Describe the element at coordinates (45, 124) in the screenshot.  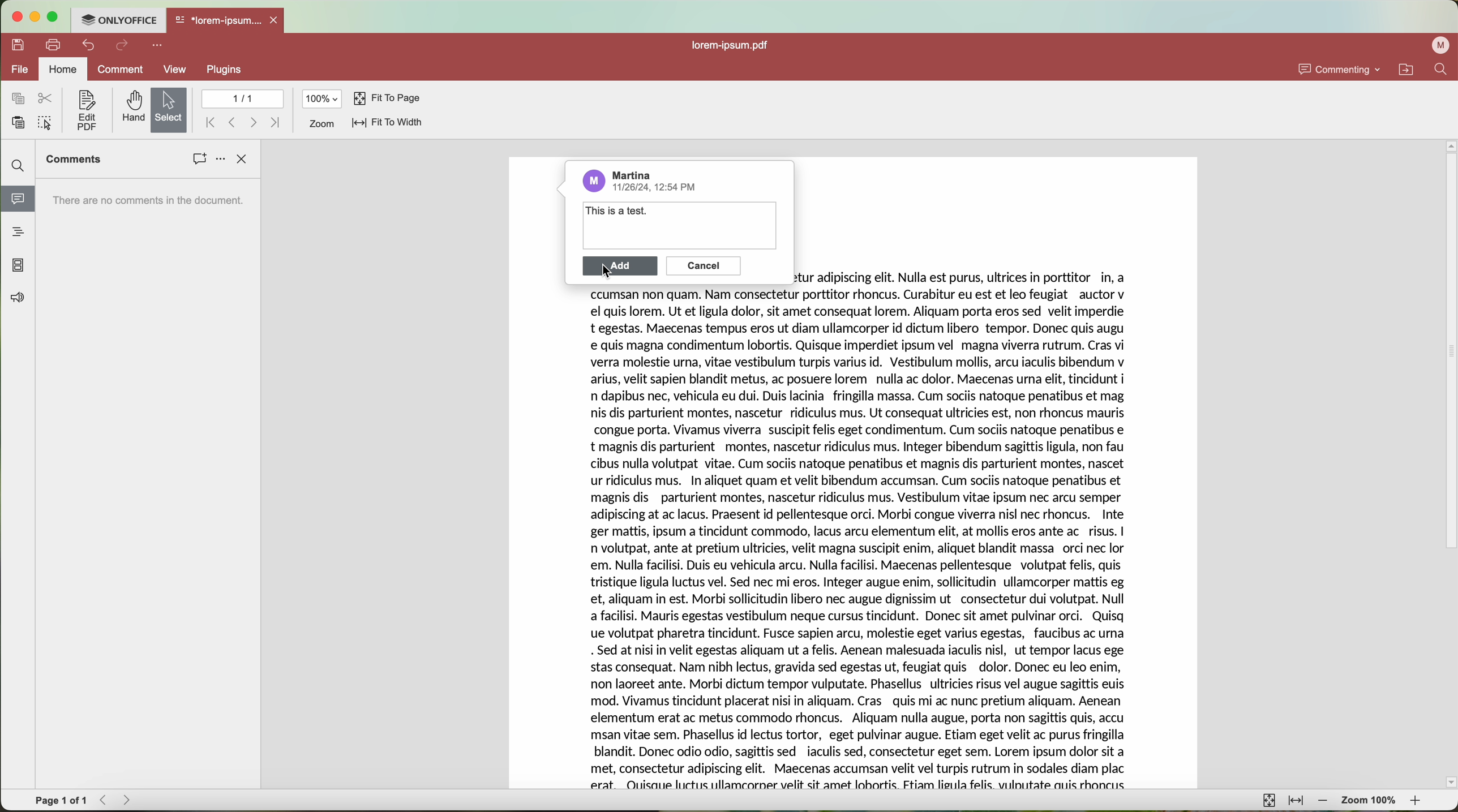
I see `select all` at that location.